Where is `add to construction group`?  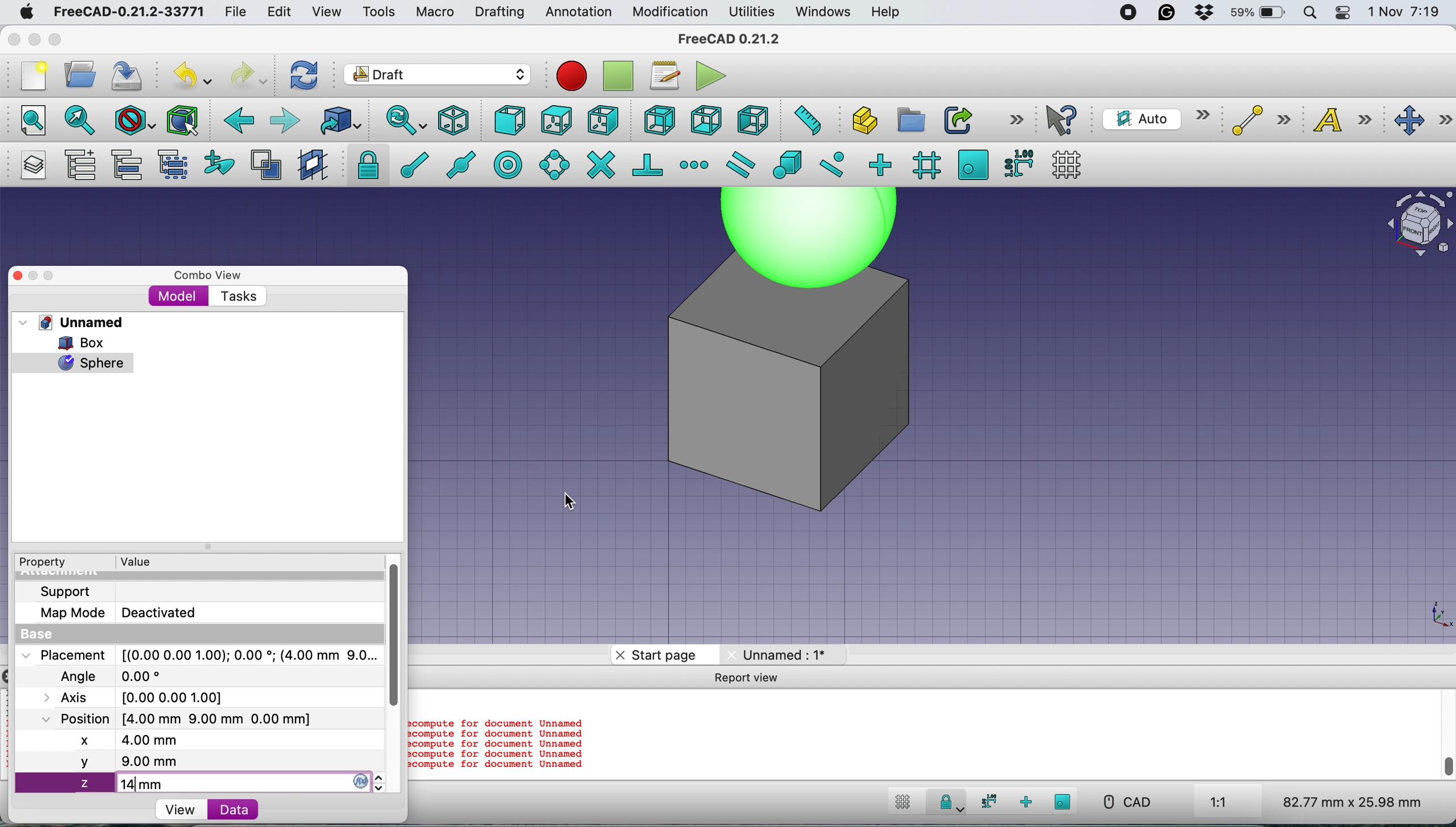 add to construction group is located at coordinates (222, 164).